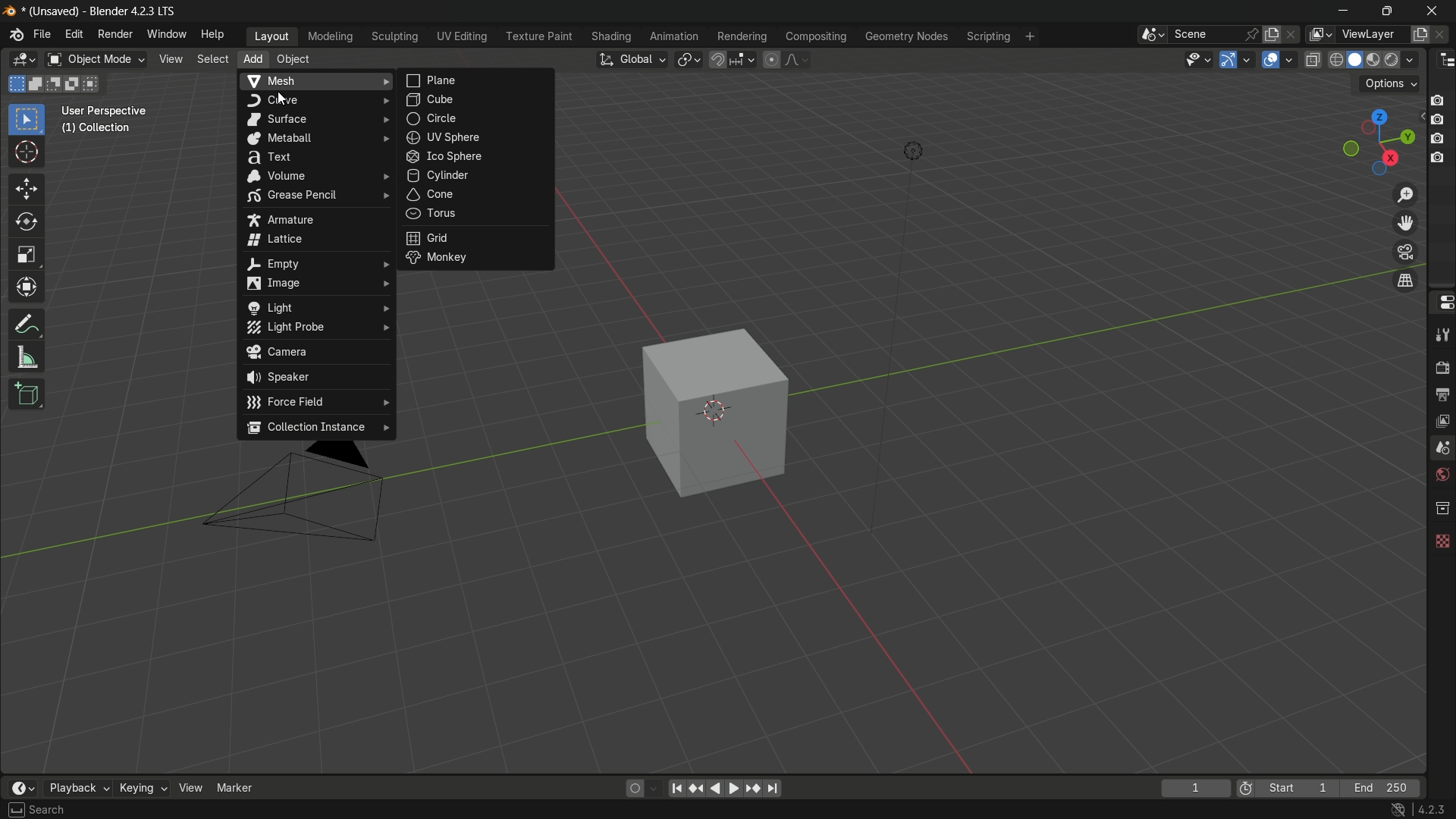  Describe the element at coordinates (476, 137) in the screenshot. I see `uv sphere` at that location.